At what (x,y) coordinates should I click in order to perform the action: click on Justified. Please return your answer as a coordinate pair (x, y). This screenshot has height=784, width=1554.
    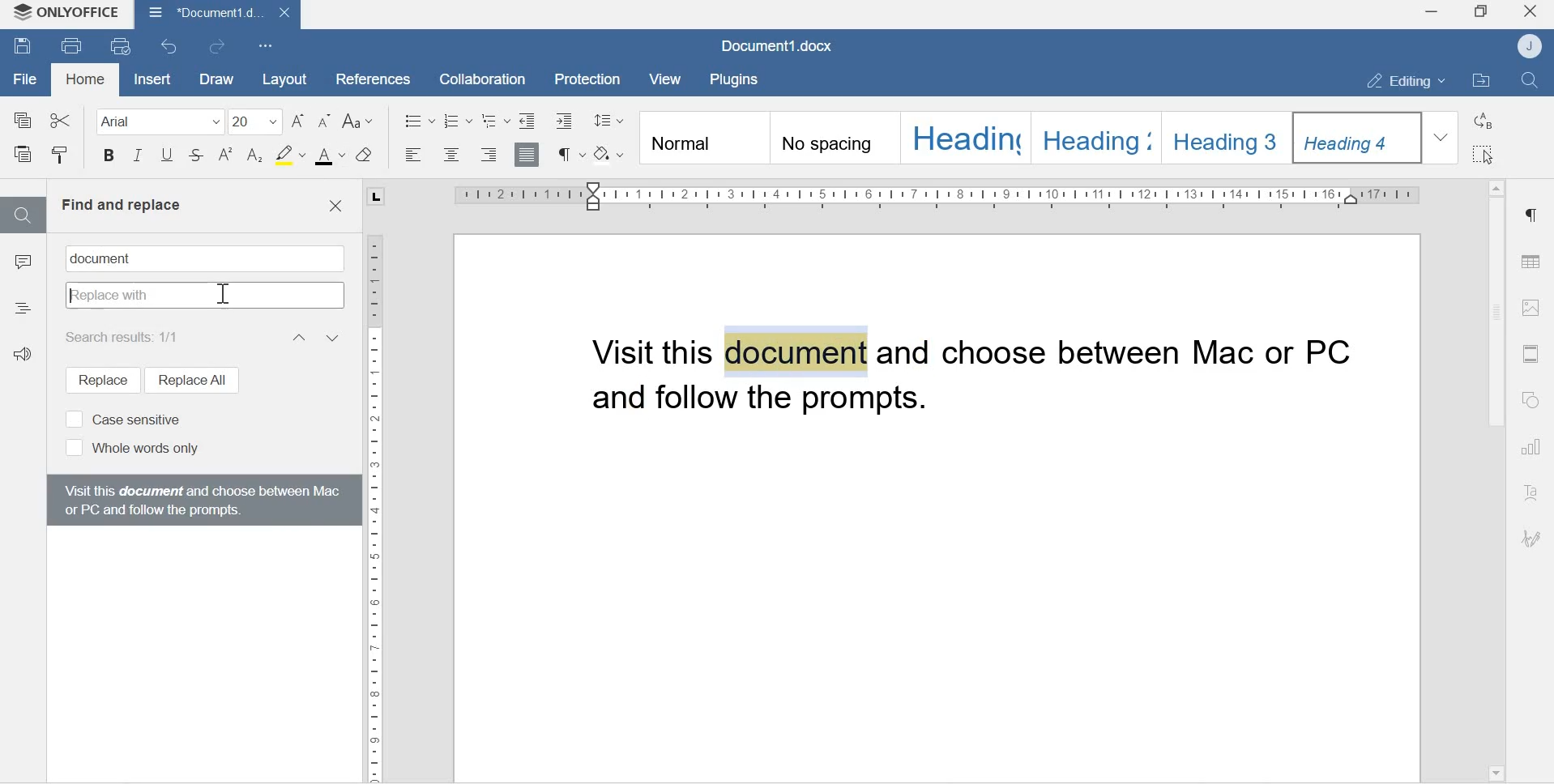
    Looking at the image, I should click on (527, 153).